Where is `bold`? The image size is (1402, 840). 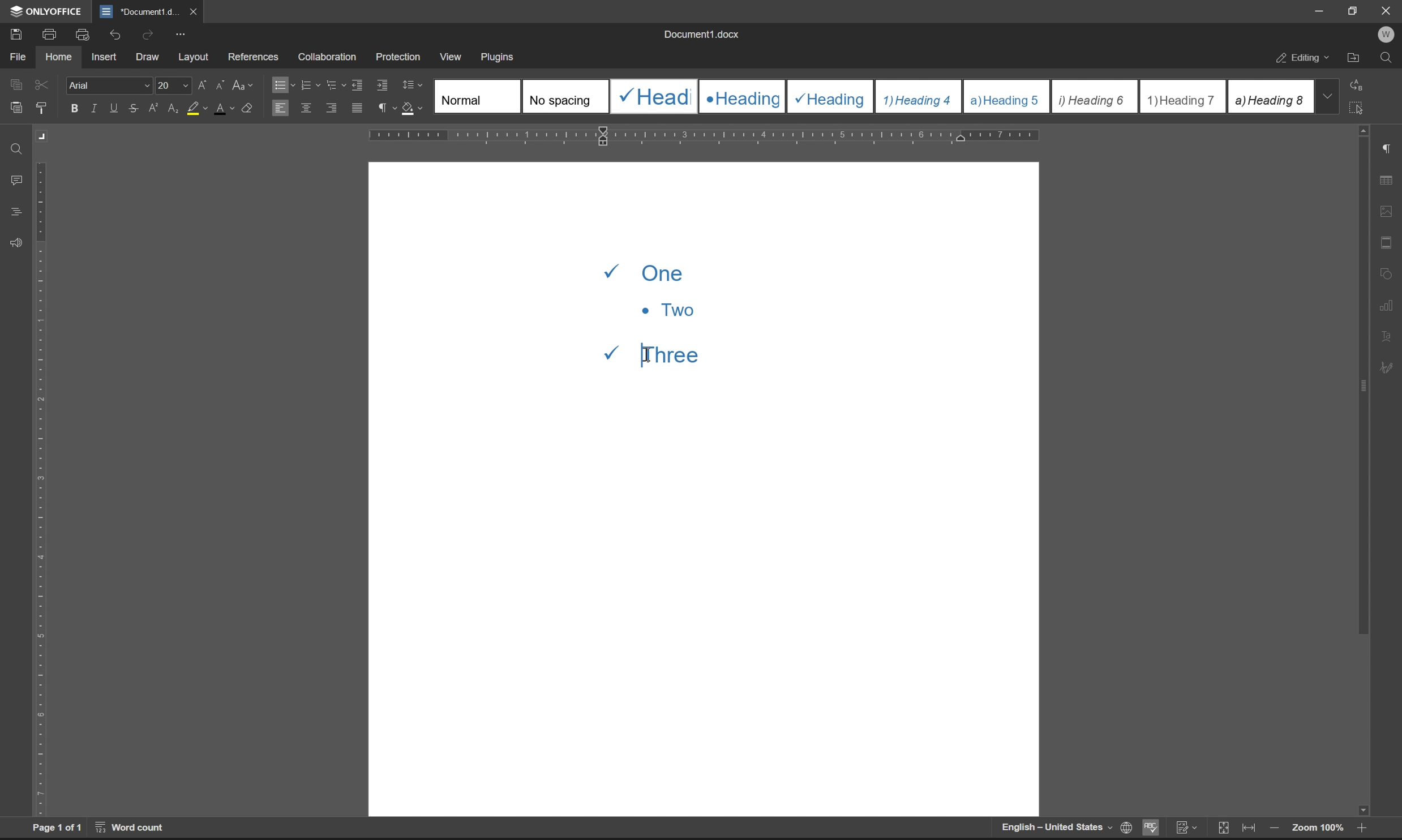
bold is located at coordinates (75, 109).